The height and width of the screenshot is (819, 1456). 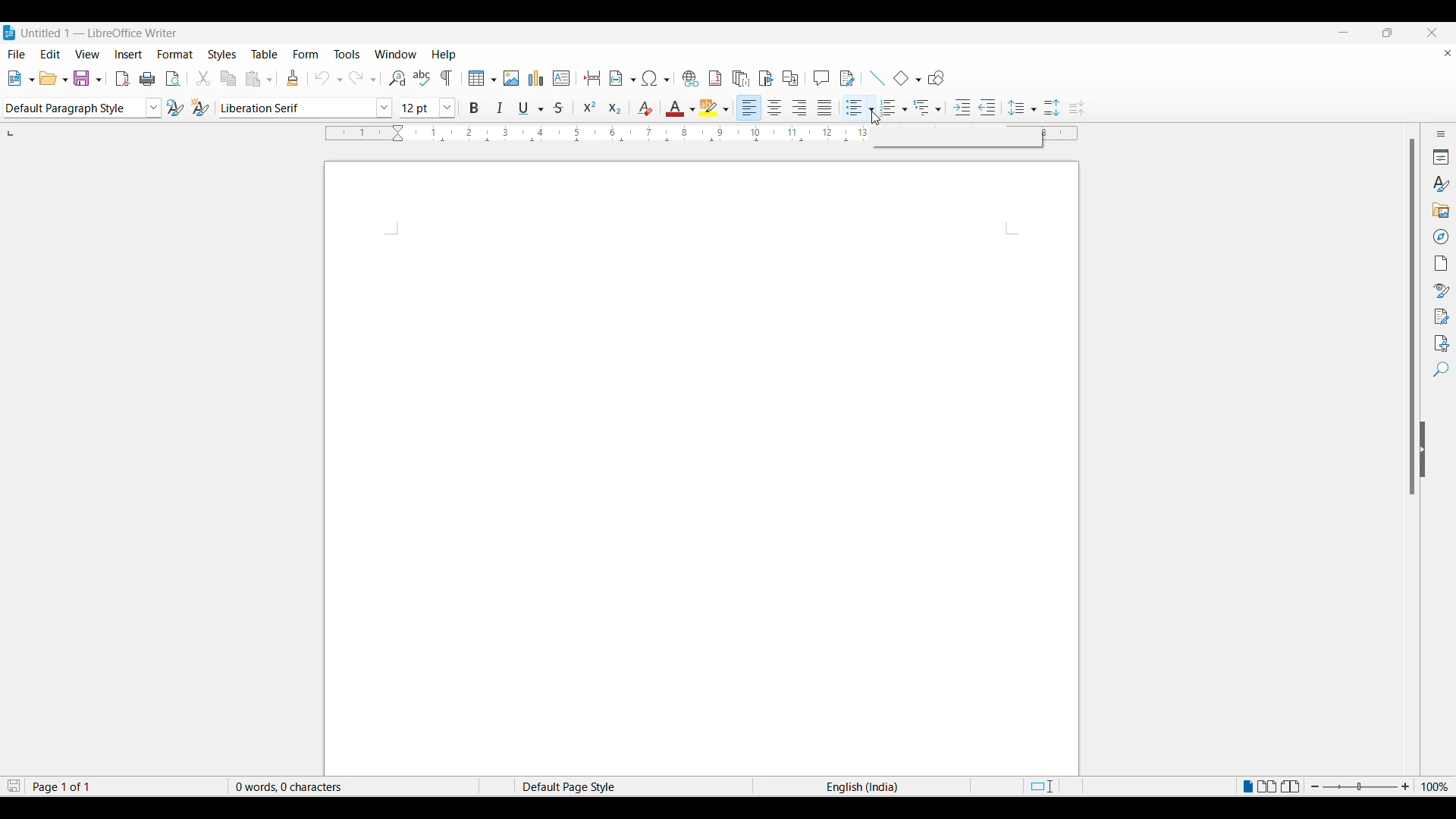 What do you see at coordinates (533, 106) in the screenshot?
I see `underline` at bounding box center [533, 106].